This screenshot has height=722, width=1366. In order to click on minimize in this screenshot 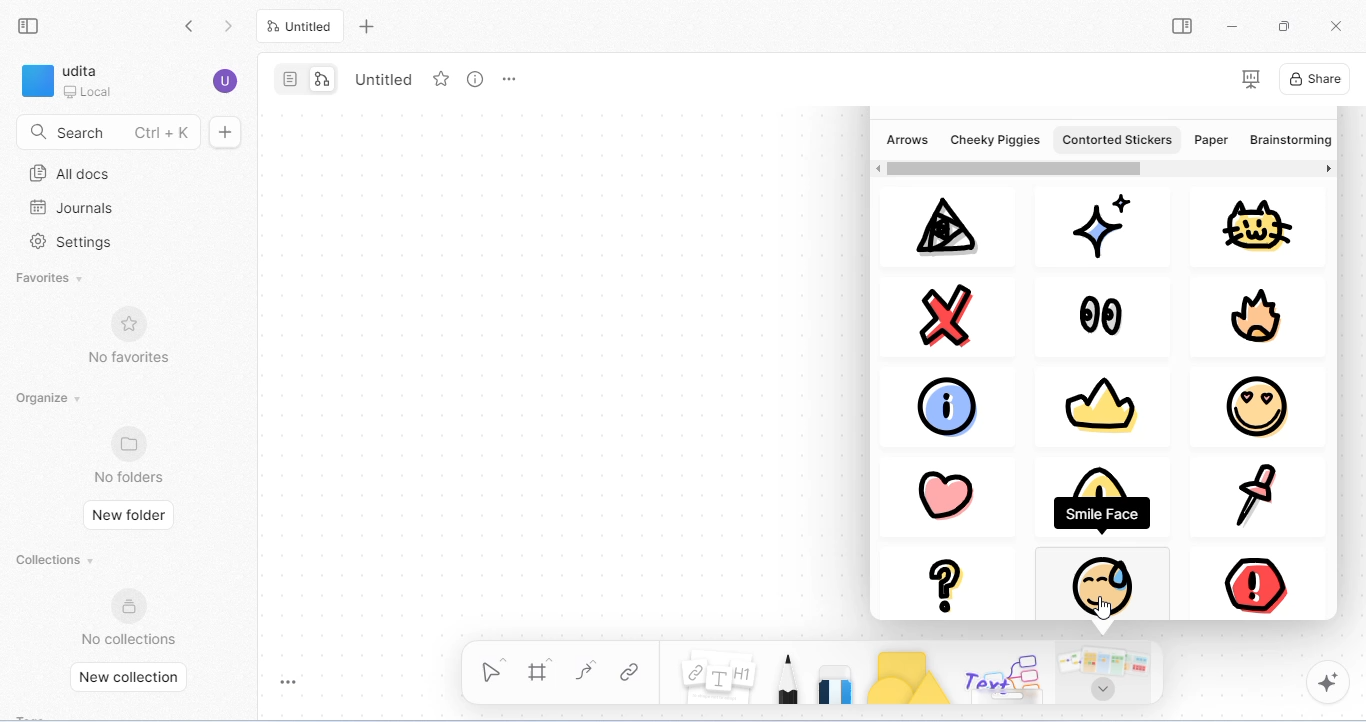, I will do `click(1229, 24)`.